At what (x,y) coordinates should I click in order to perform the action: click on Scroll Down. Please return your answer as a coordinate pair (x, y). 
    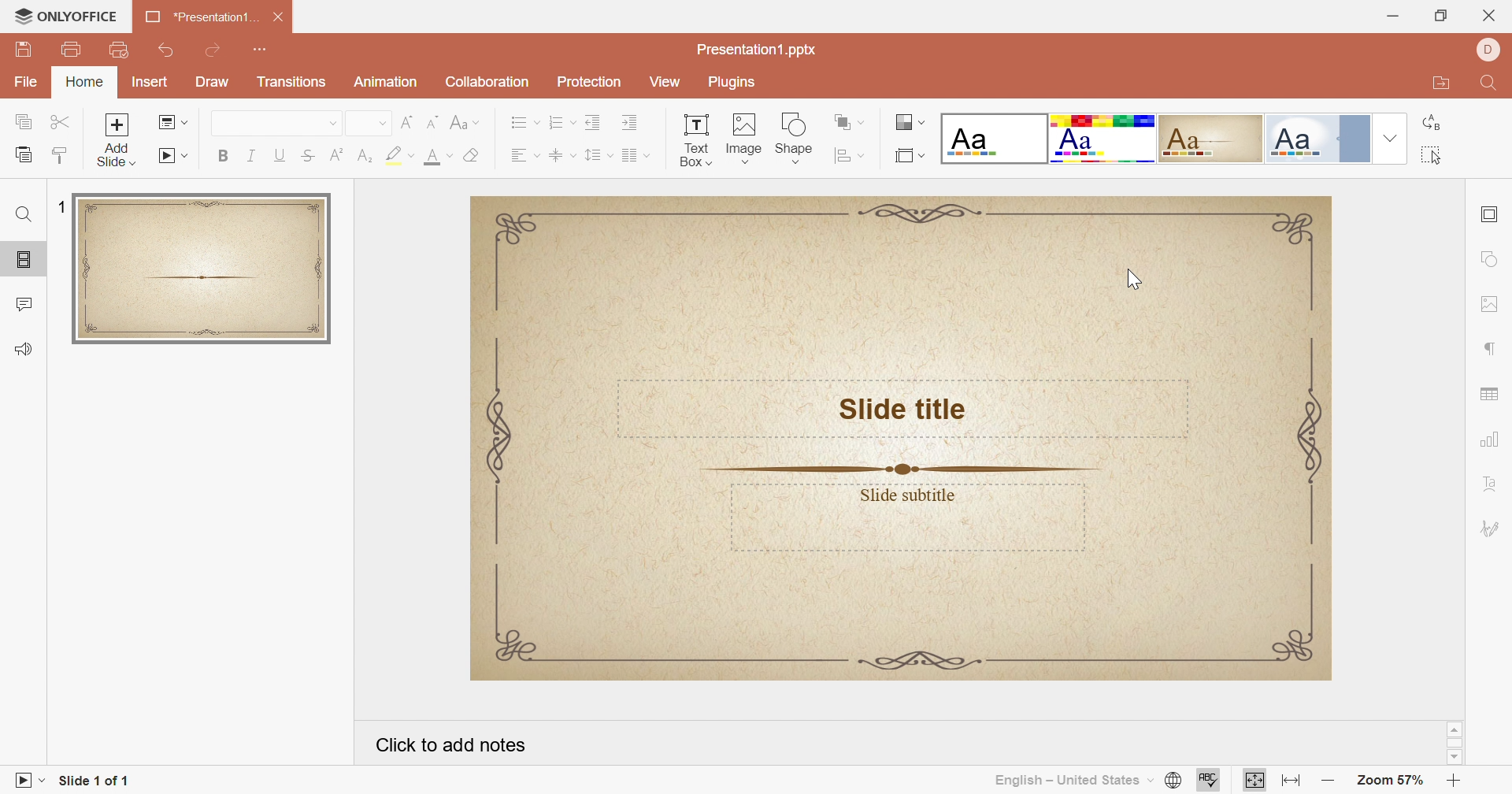
    Looking at the image, I should click on (1455, 759).